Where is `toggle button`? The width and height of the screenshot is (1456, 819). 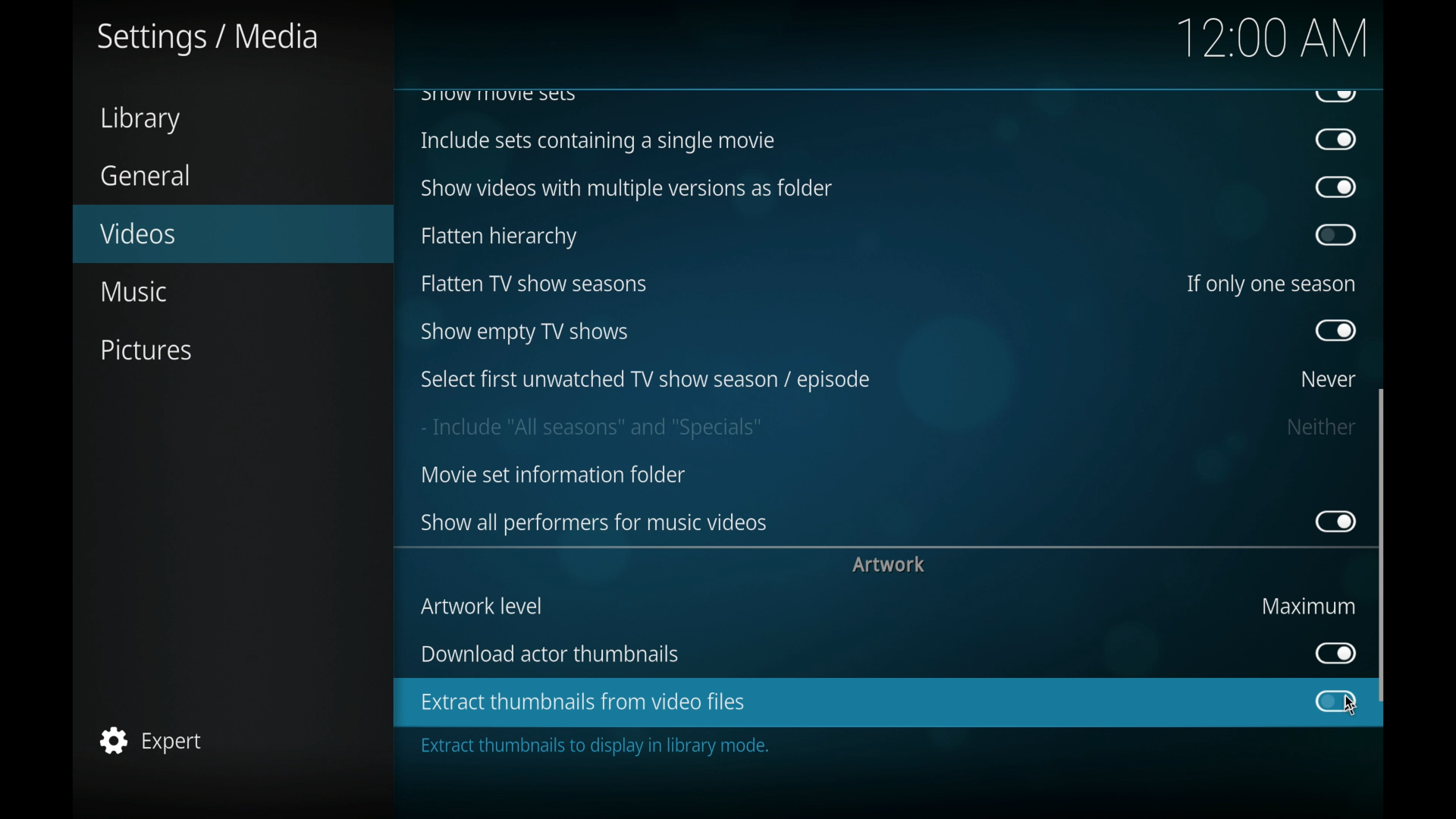 toggle button is located at coordinates (1336, 522).